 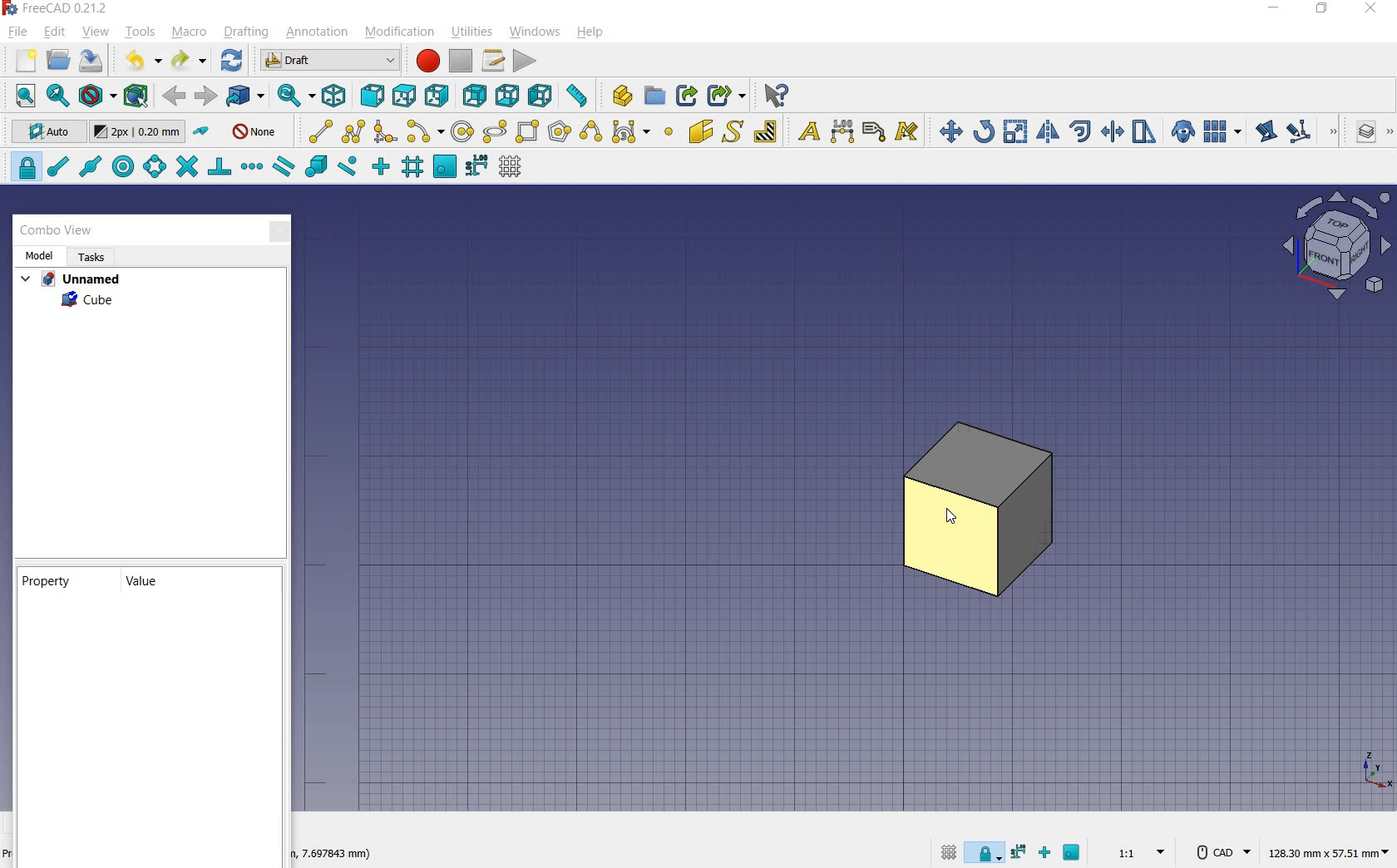 What do you see at coordinates (446, 167) in the screenshot?
I see `snap working plane` at bounding box center [446, 167].